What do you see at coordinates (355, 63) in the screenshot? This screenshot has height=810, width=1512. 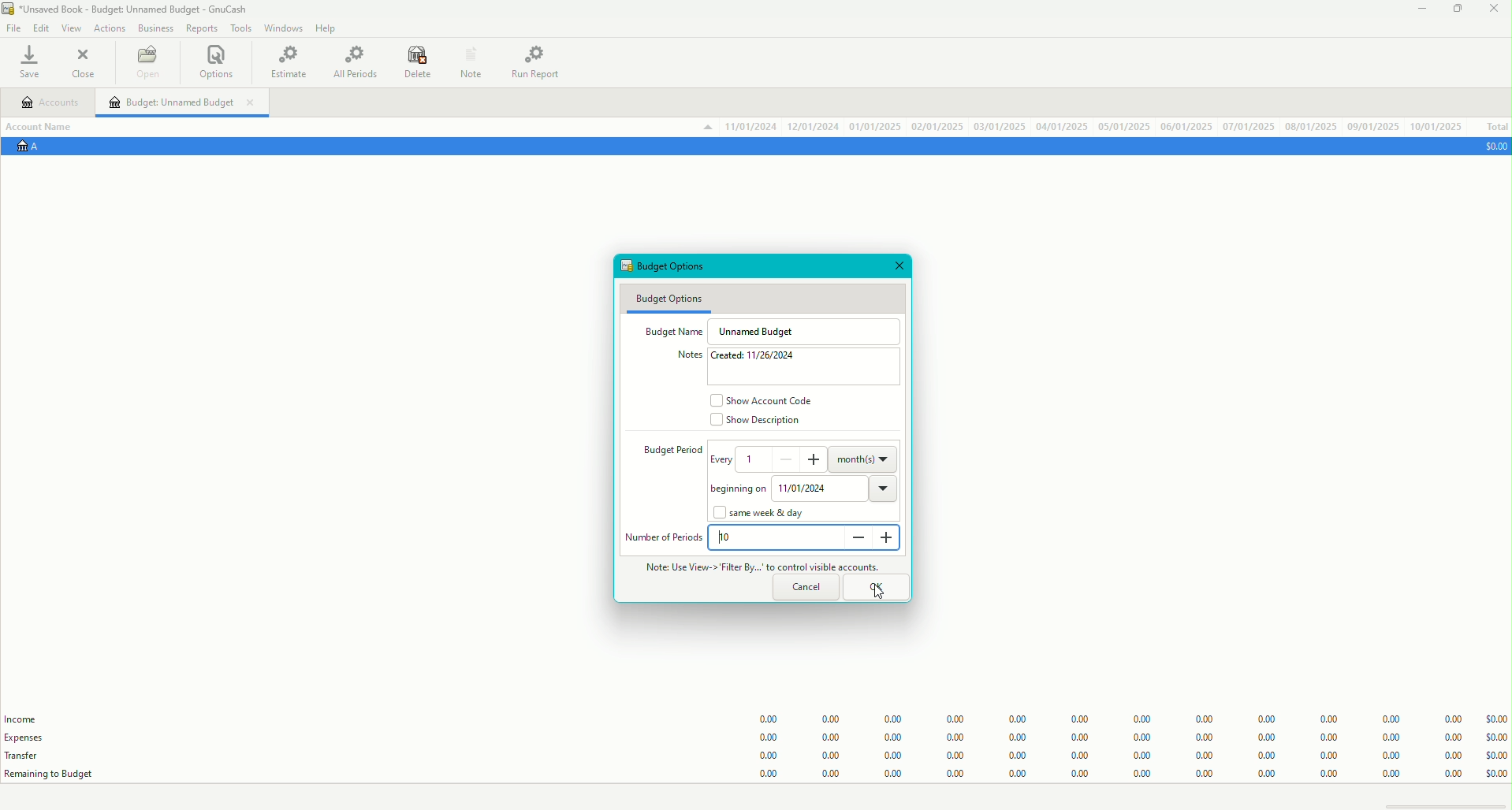 I see `All Periods` at bounding box center [355, 63].